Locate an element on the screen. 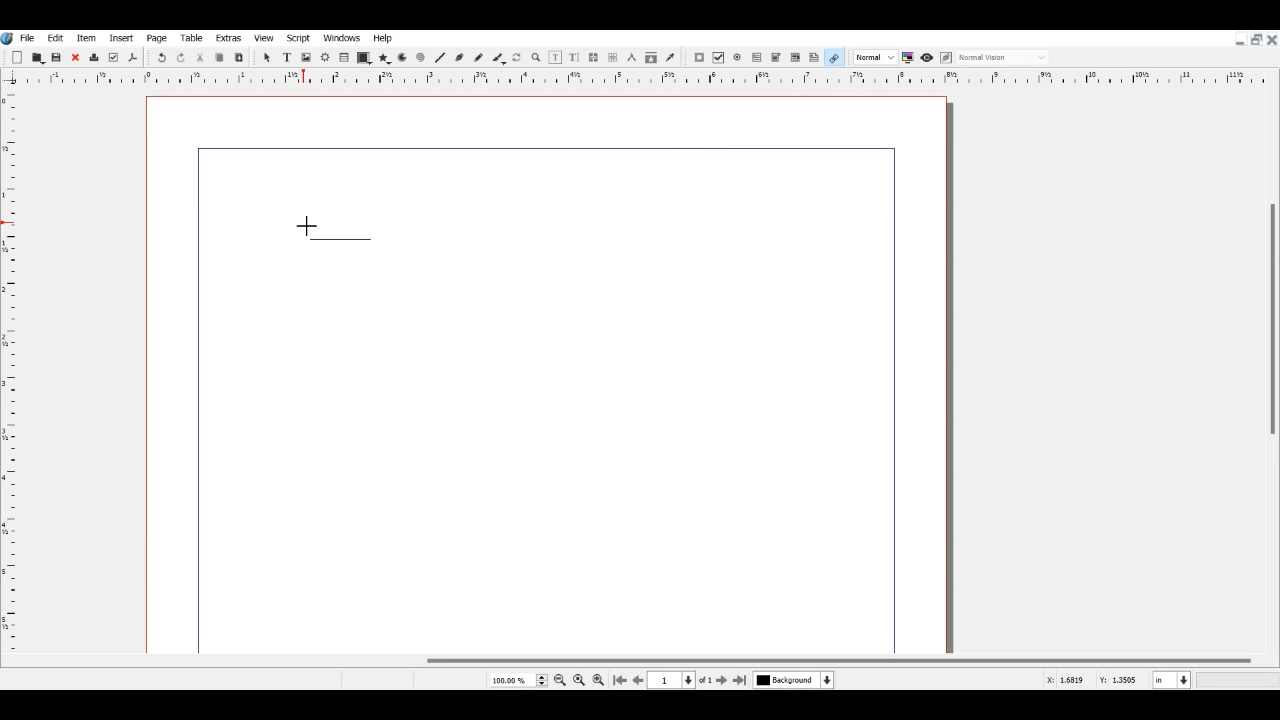 The image size is (1280, 720). Select the visual appearance on display is located at coordinates (1004, 56).